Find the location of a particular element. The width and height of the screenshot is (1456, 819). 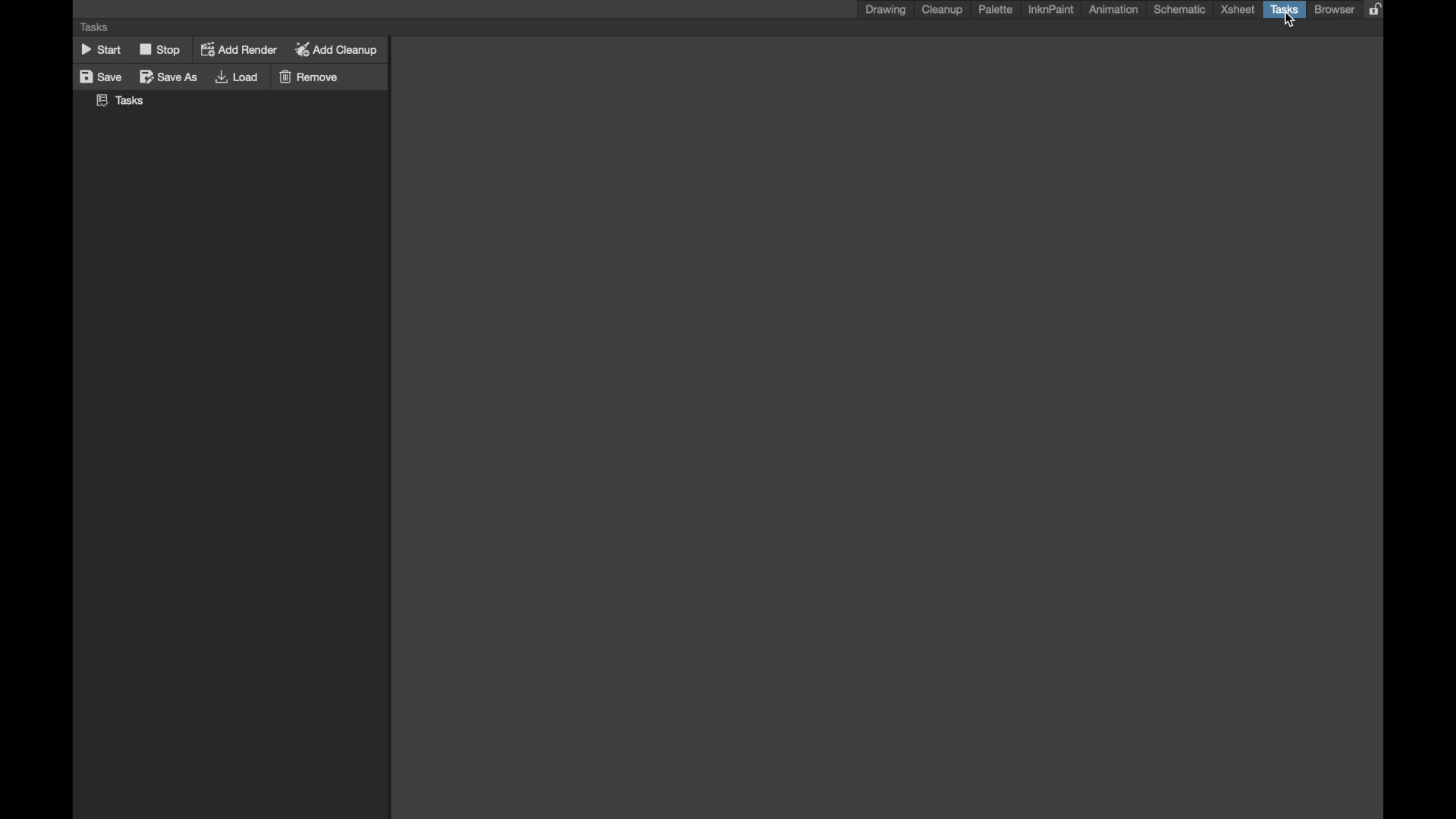

drawing is located at coordinates (886, 10).